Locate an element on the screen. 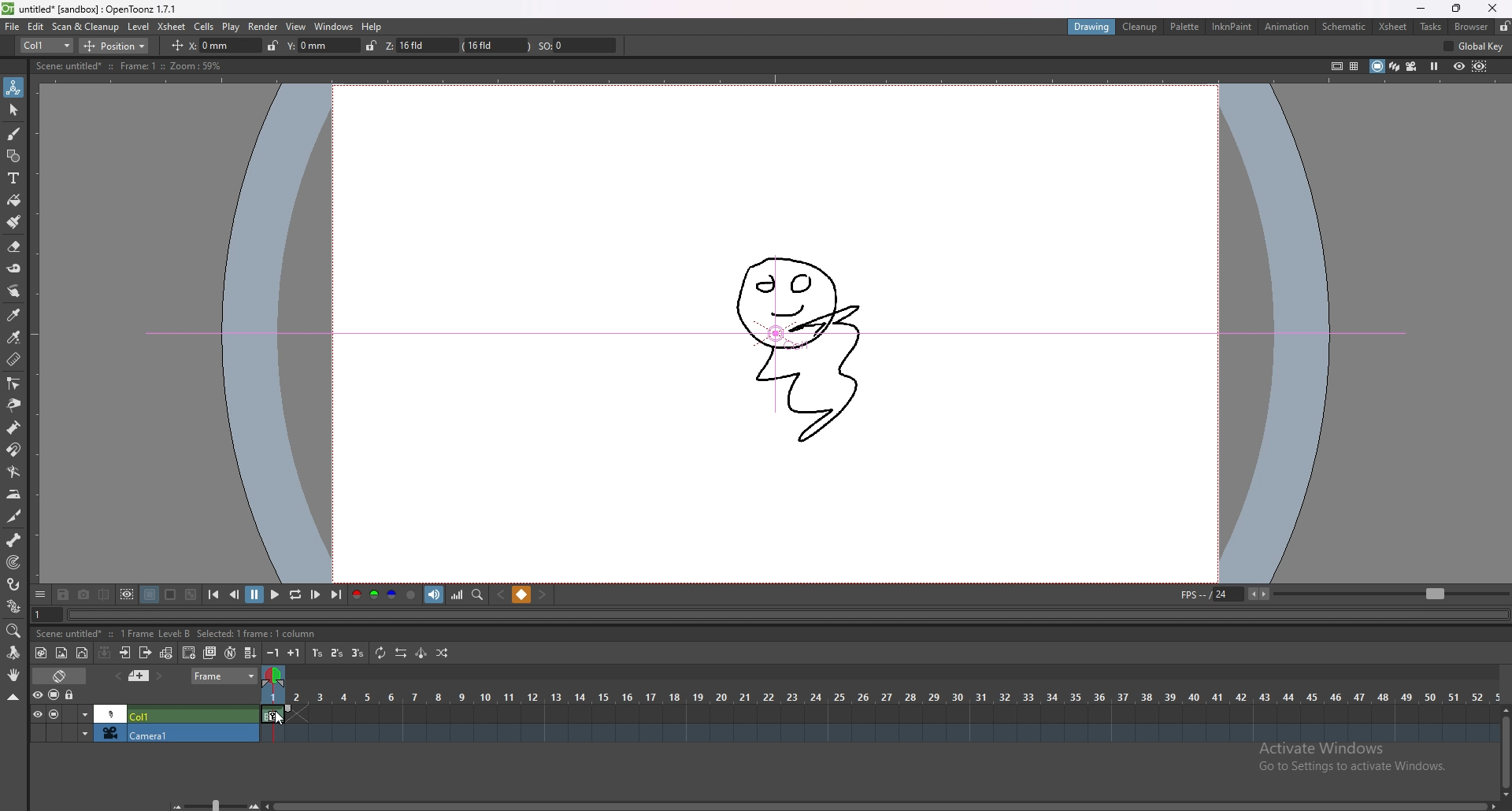 The width and height of the screenshot is (1512, 811). checkered background is located at coordinates (191, 594).